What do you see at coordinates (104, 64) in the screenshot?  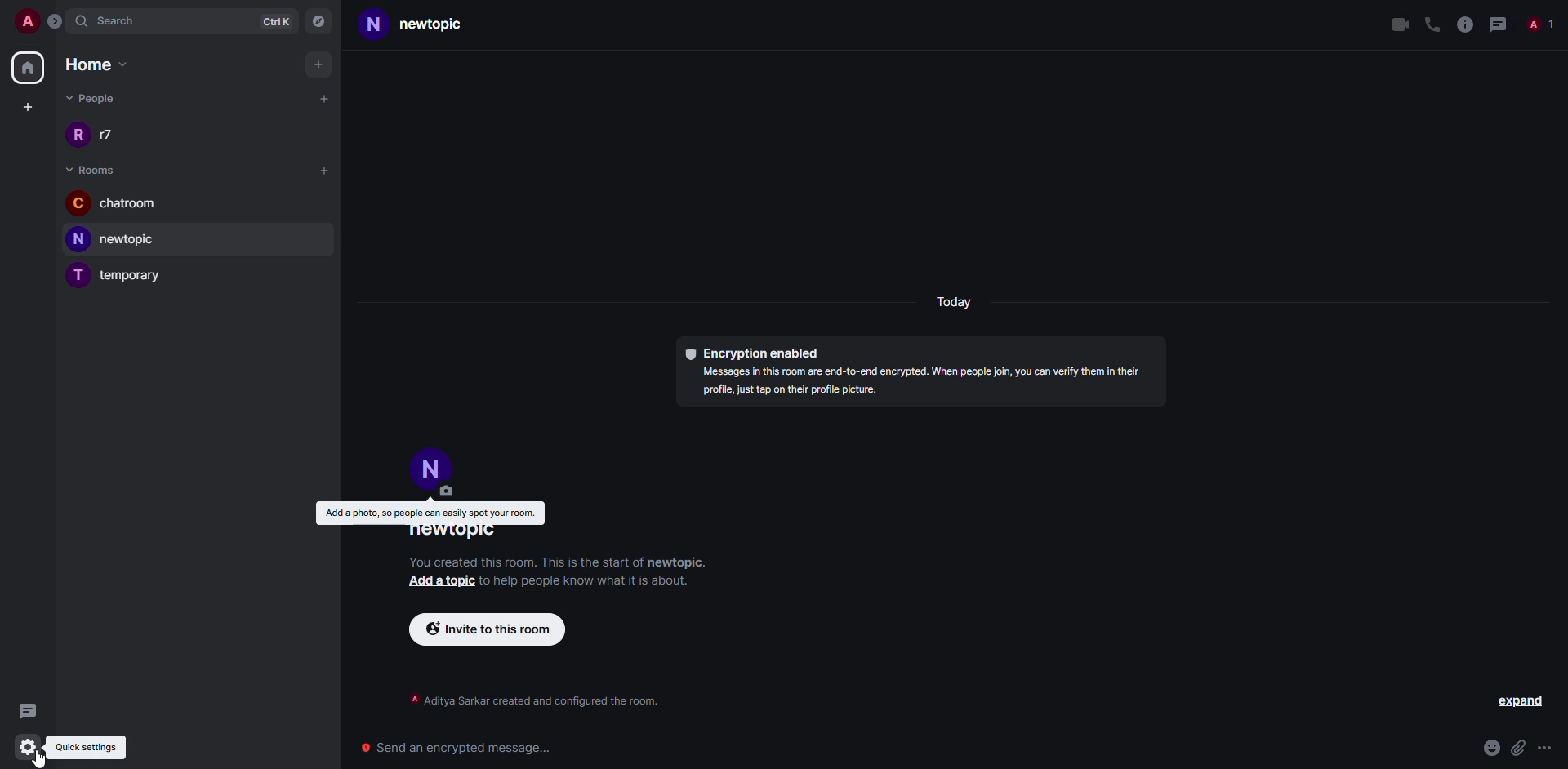 I see `home` at bounding box center [104, 64].